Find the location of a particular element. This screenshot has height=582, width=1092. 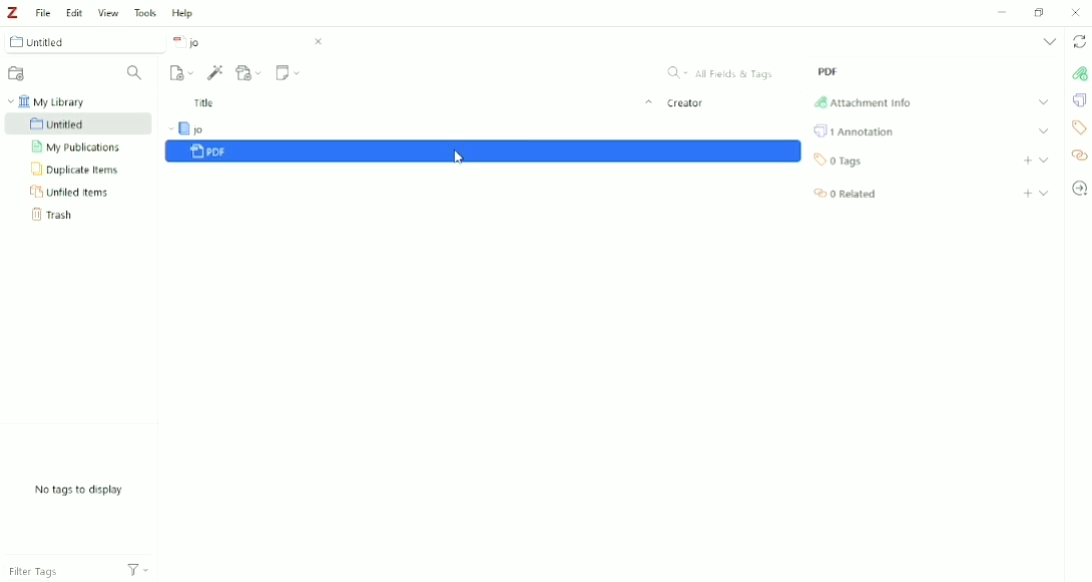

View is located at coordinates (109, 12).